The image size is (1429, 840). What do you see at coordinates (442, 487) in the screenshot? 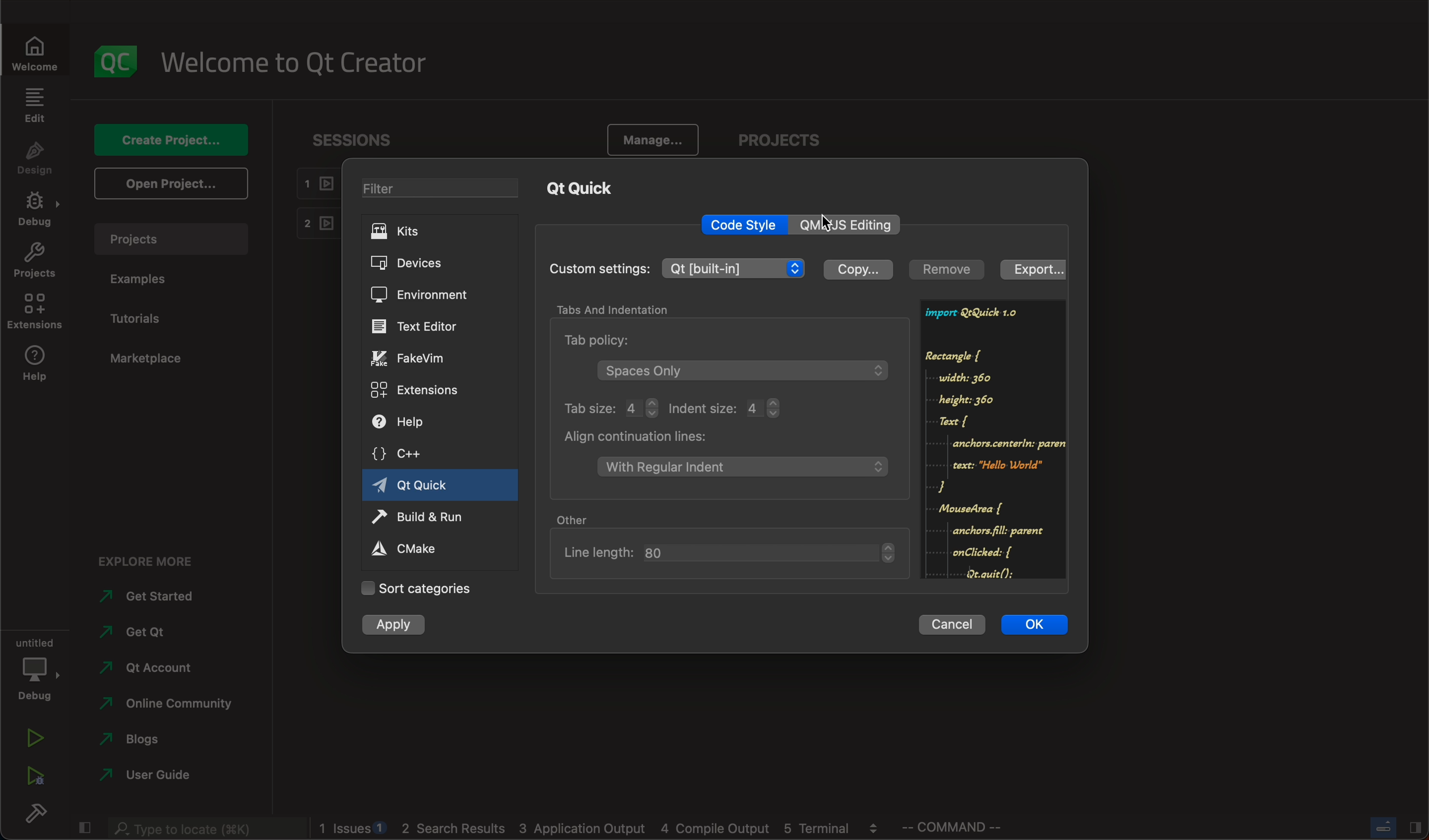
I see `selected tab` at bounding box center [442, 487].